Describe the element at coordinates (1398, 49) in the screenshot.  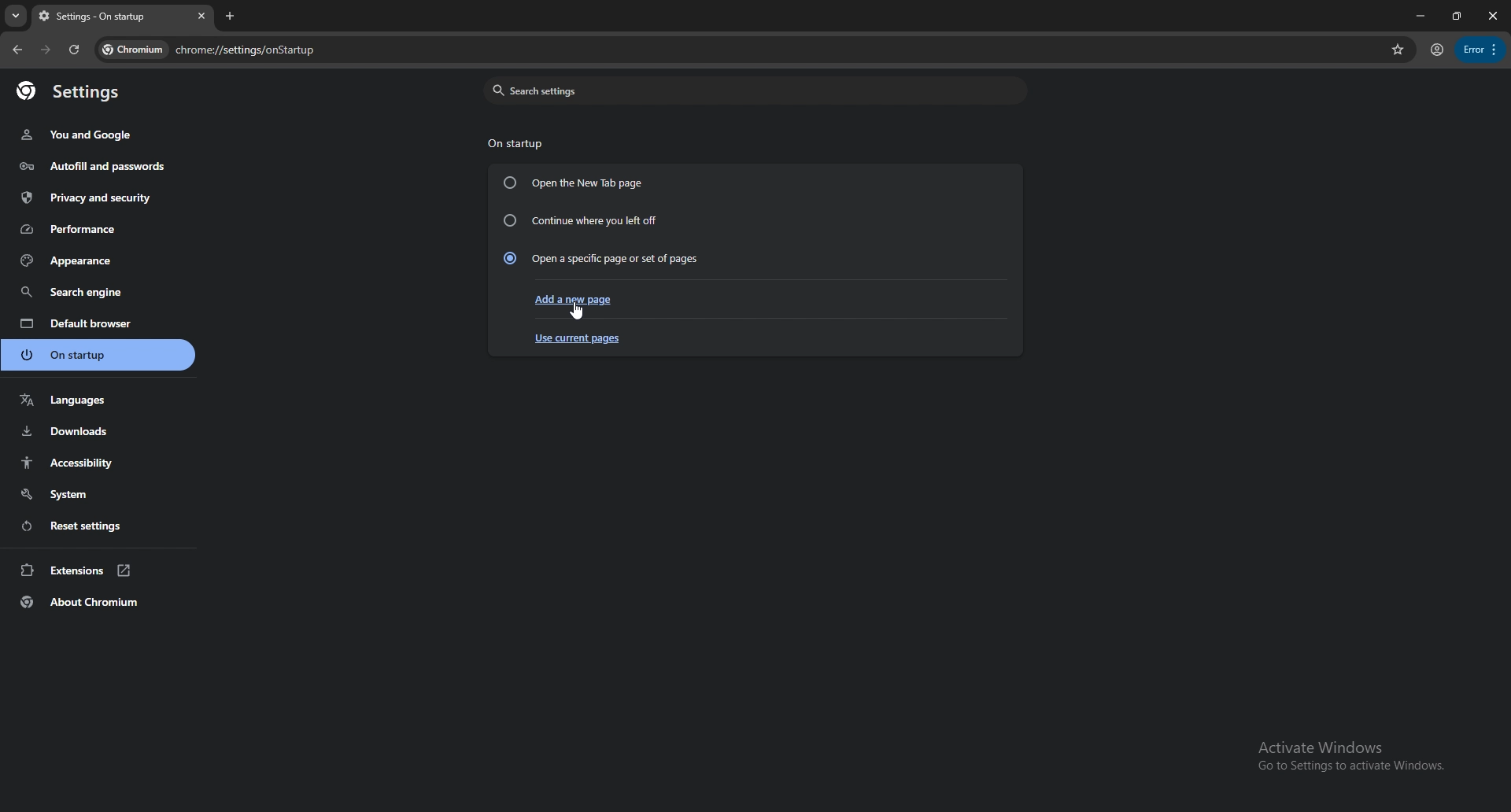
I see `favorites` at that location.